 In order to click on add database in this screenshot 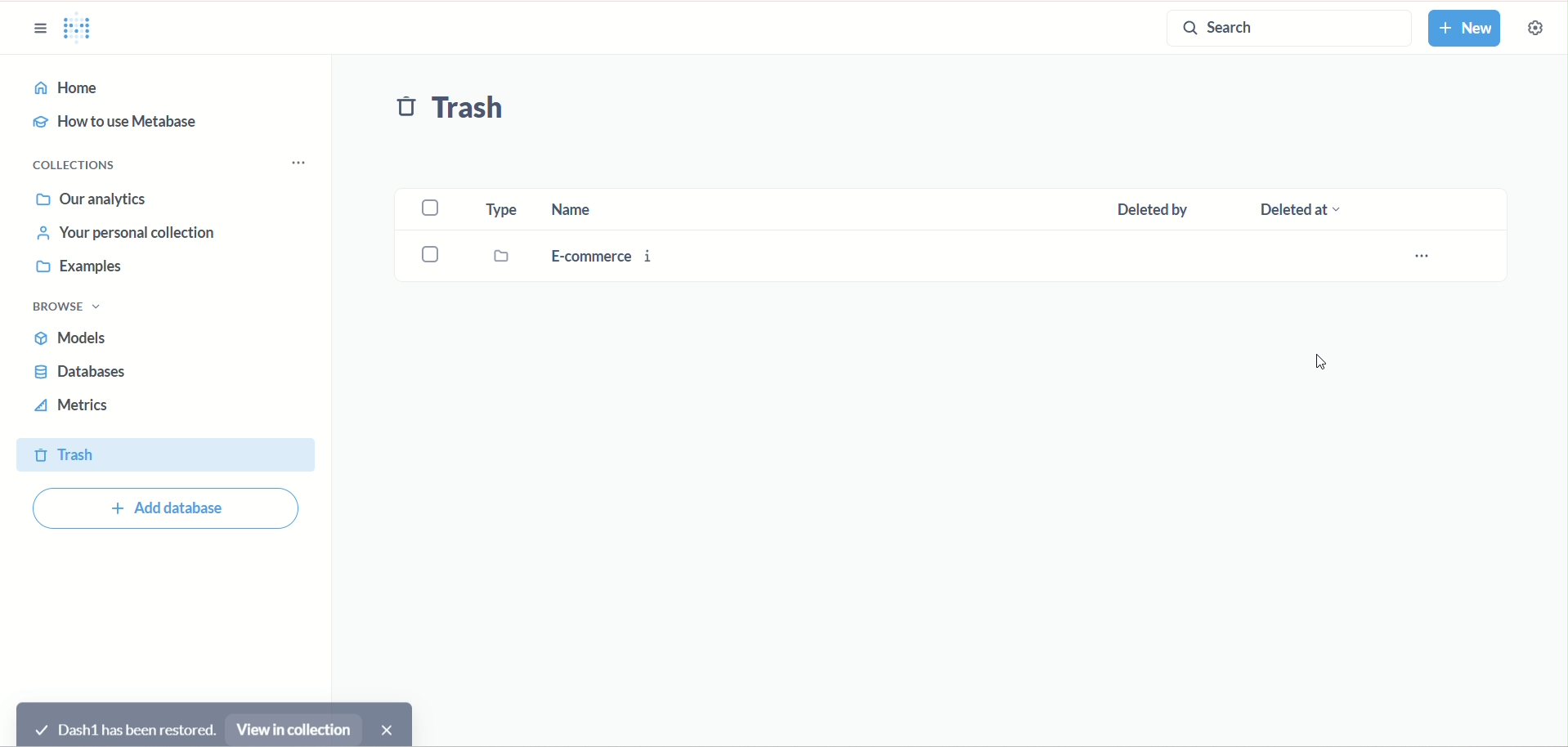, I will do `click(175, 509)`.